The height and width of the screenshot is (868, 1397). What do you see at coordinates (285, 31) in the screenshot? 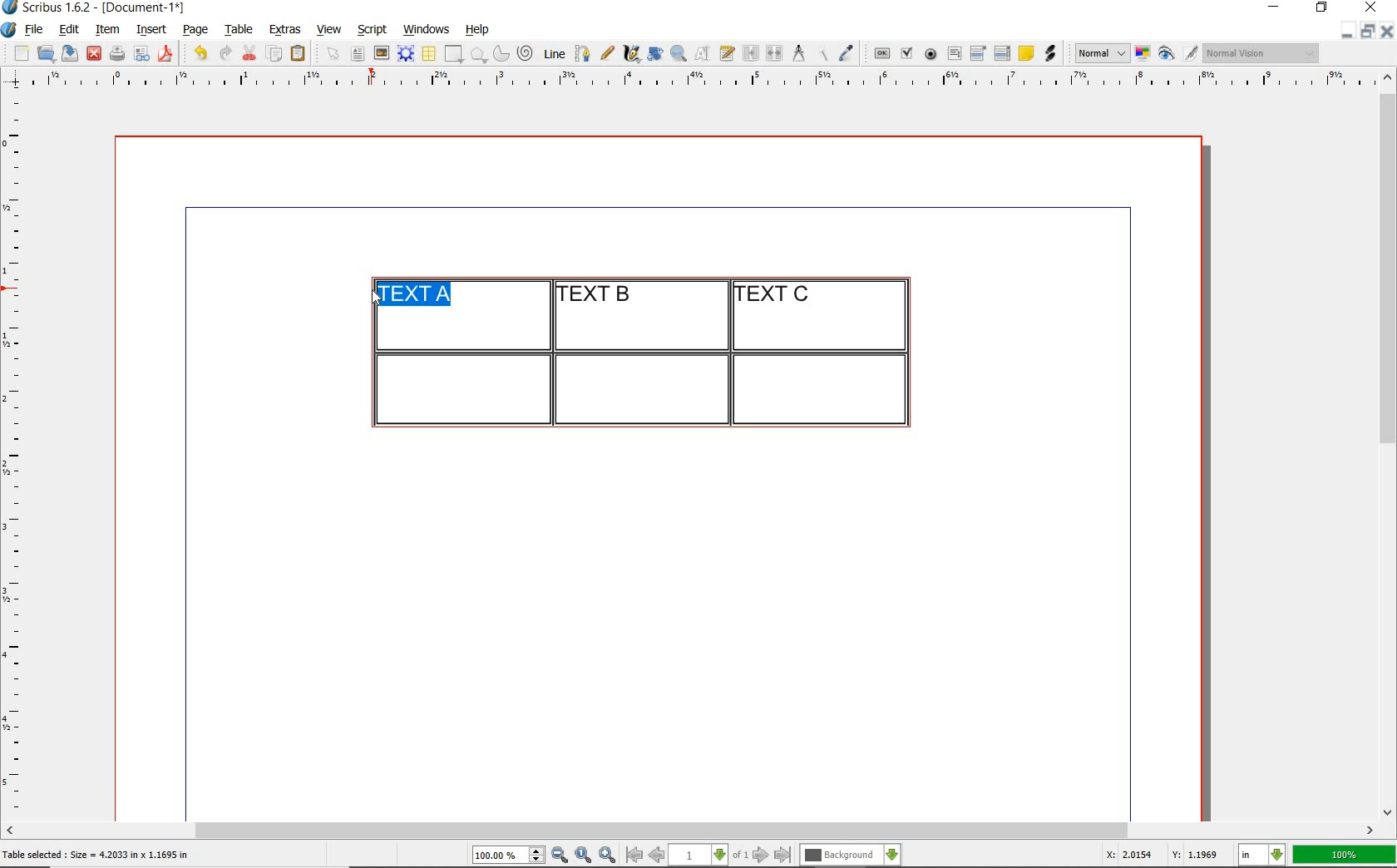
I see `extras` at bounding box center [285, 31].